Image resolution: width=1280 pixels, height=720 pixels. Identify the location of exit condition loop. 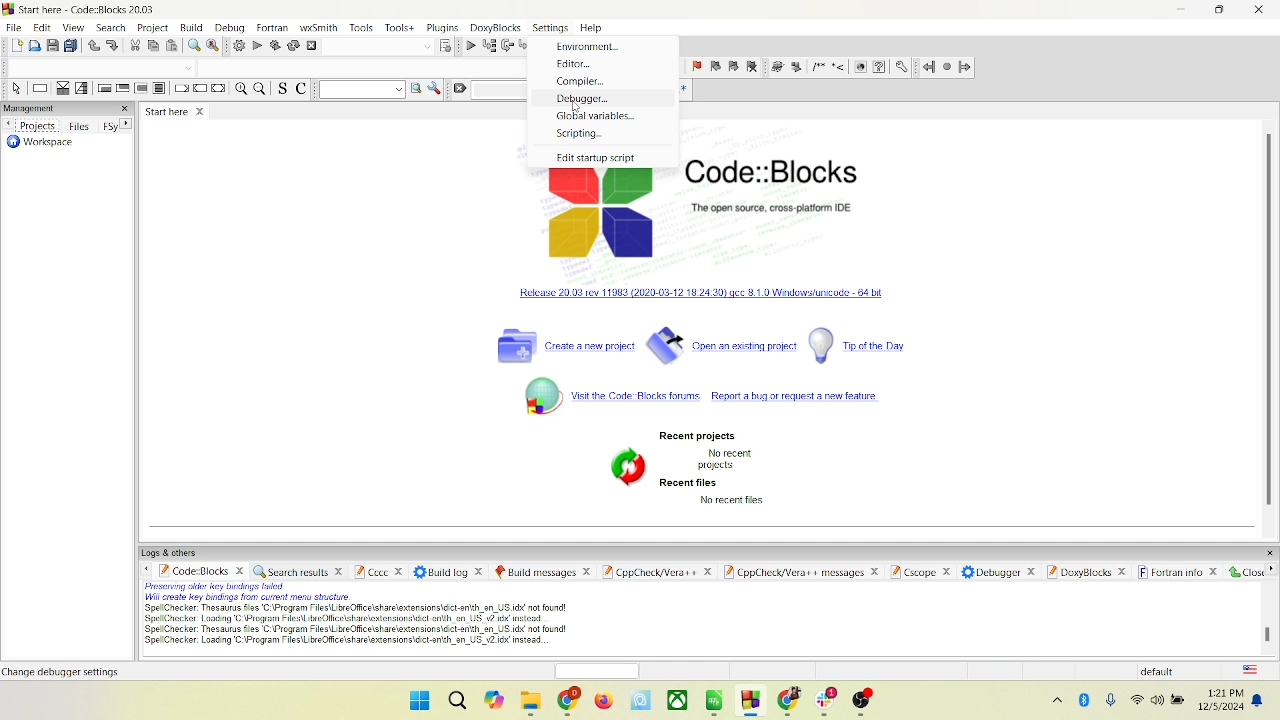
(124, 88).